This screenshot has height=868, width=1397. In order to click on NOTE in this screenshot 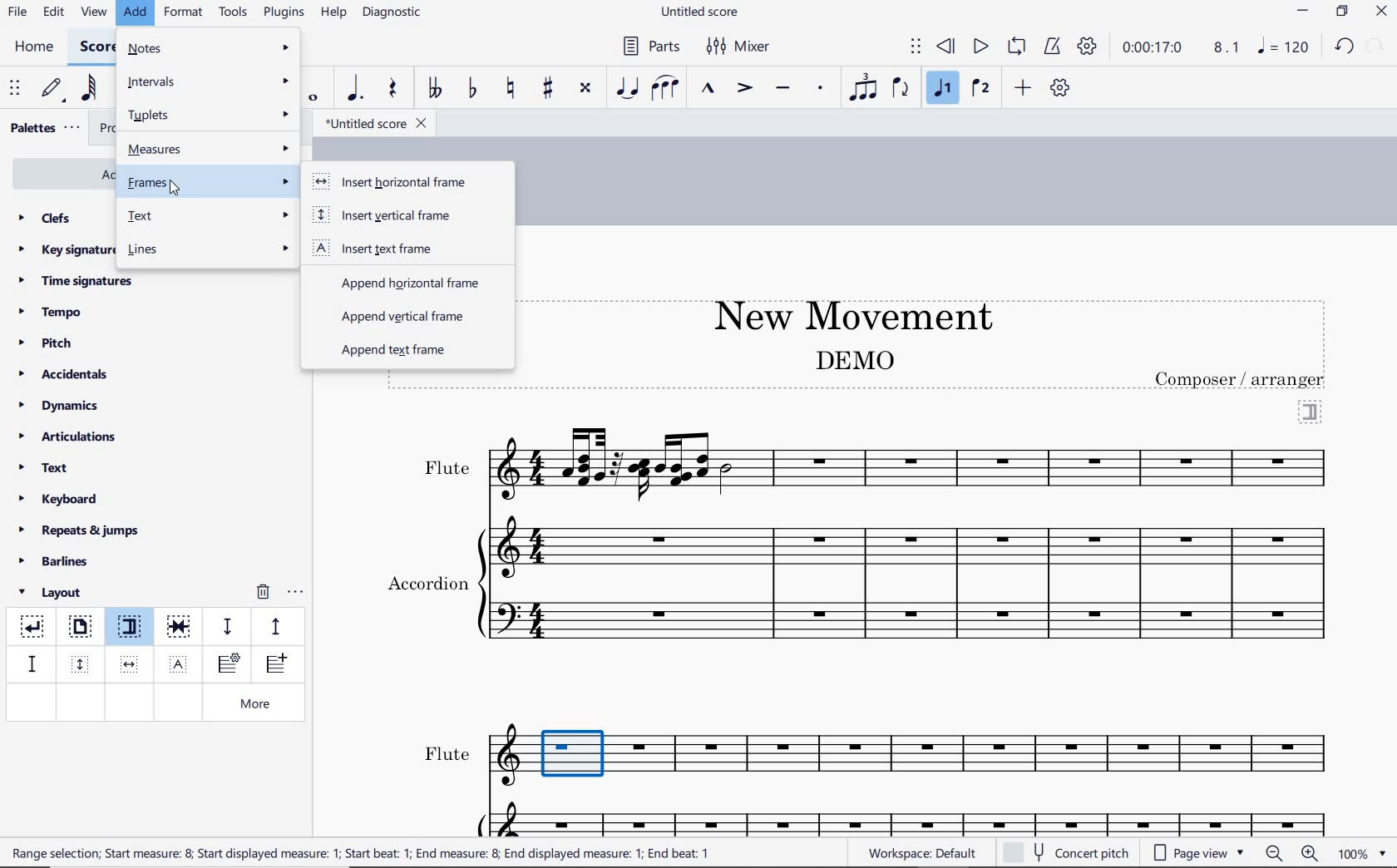, I will do `click(1285, 47)`.